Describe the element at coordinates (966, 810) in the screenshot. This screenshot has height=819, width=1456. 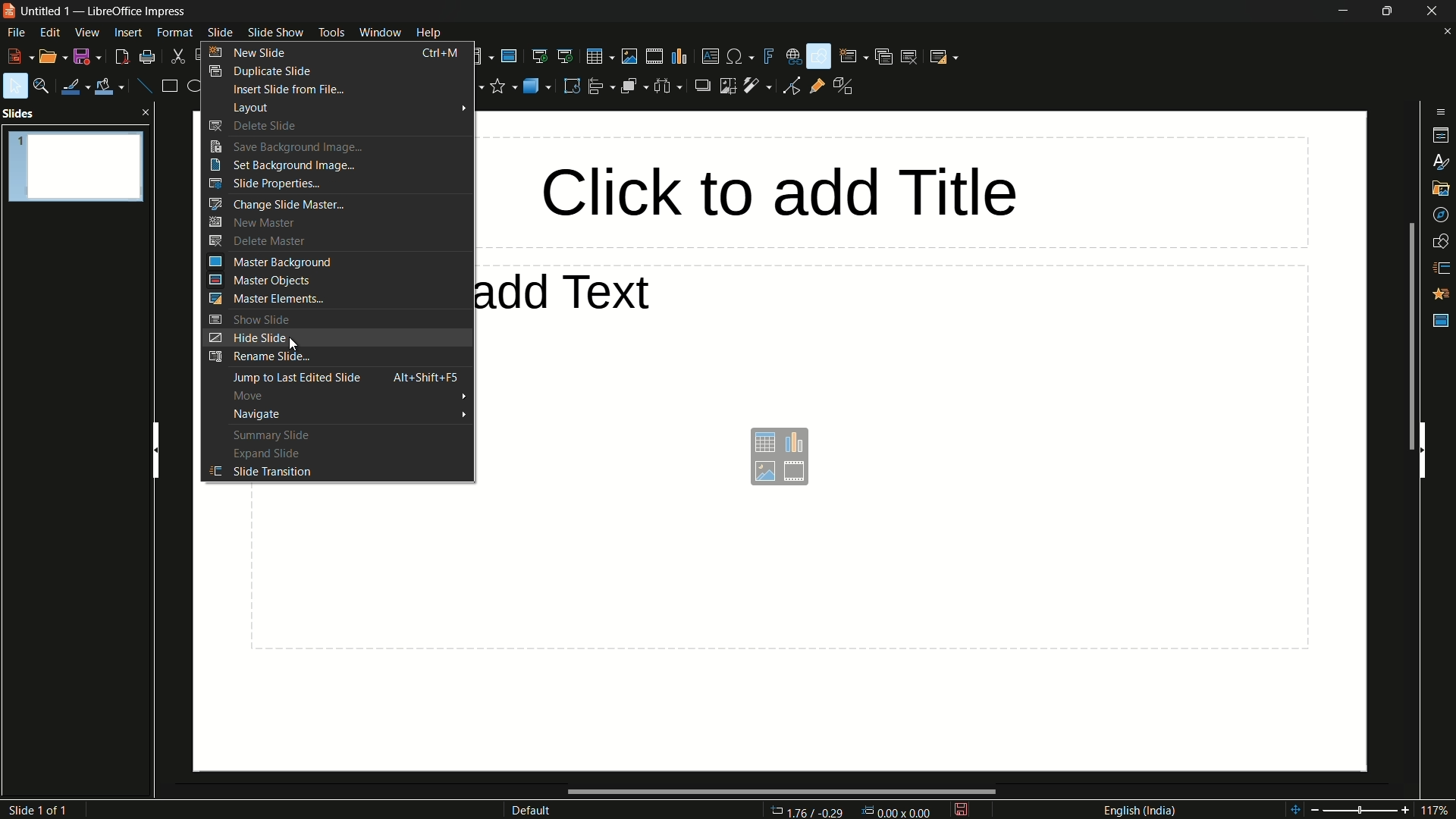
I see `modify document` at that location.